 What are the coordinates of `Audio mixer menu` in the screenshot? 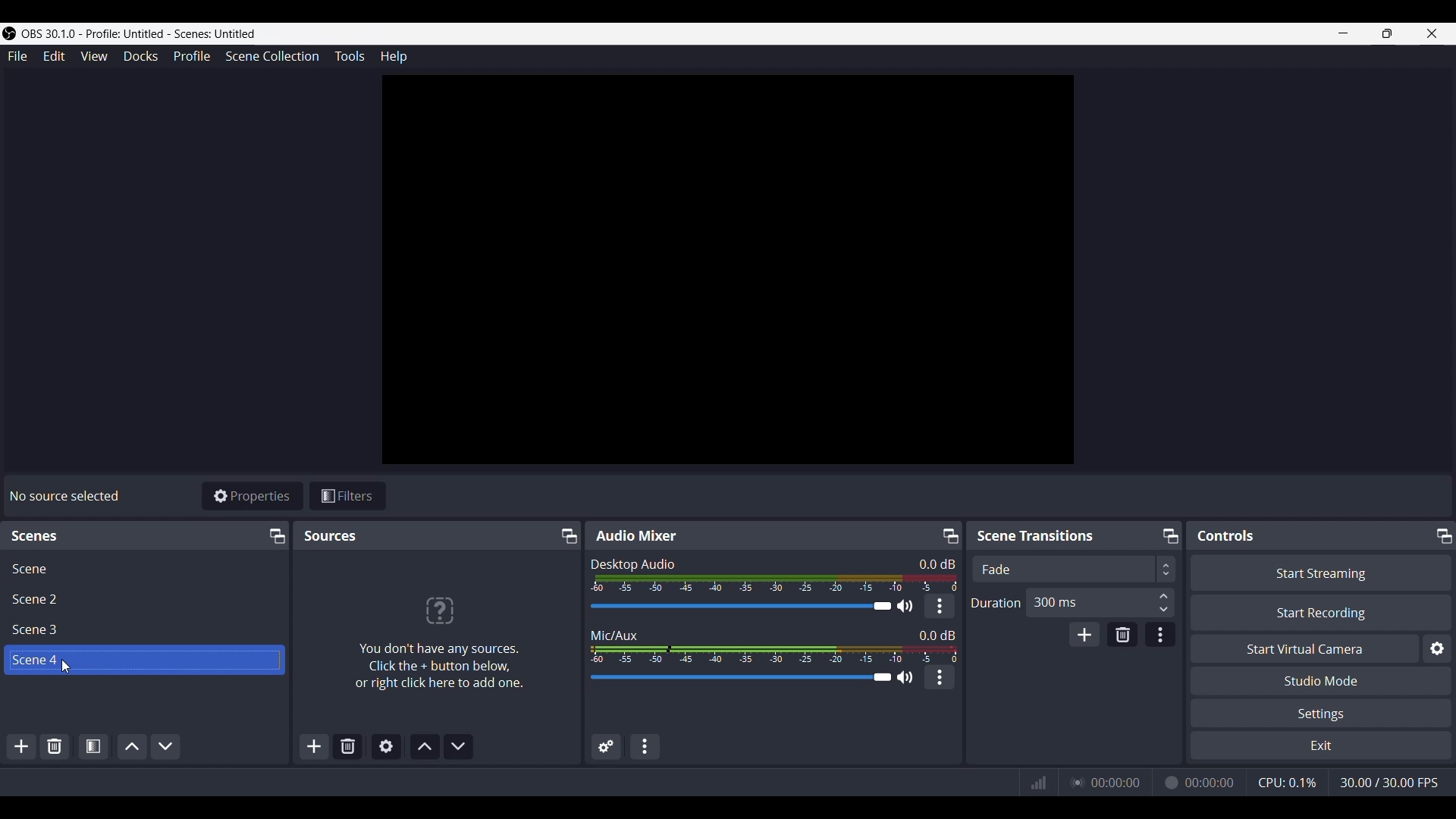 It's located at (646, 746).